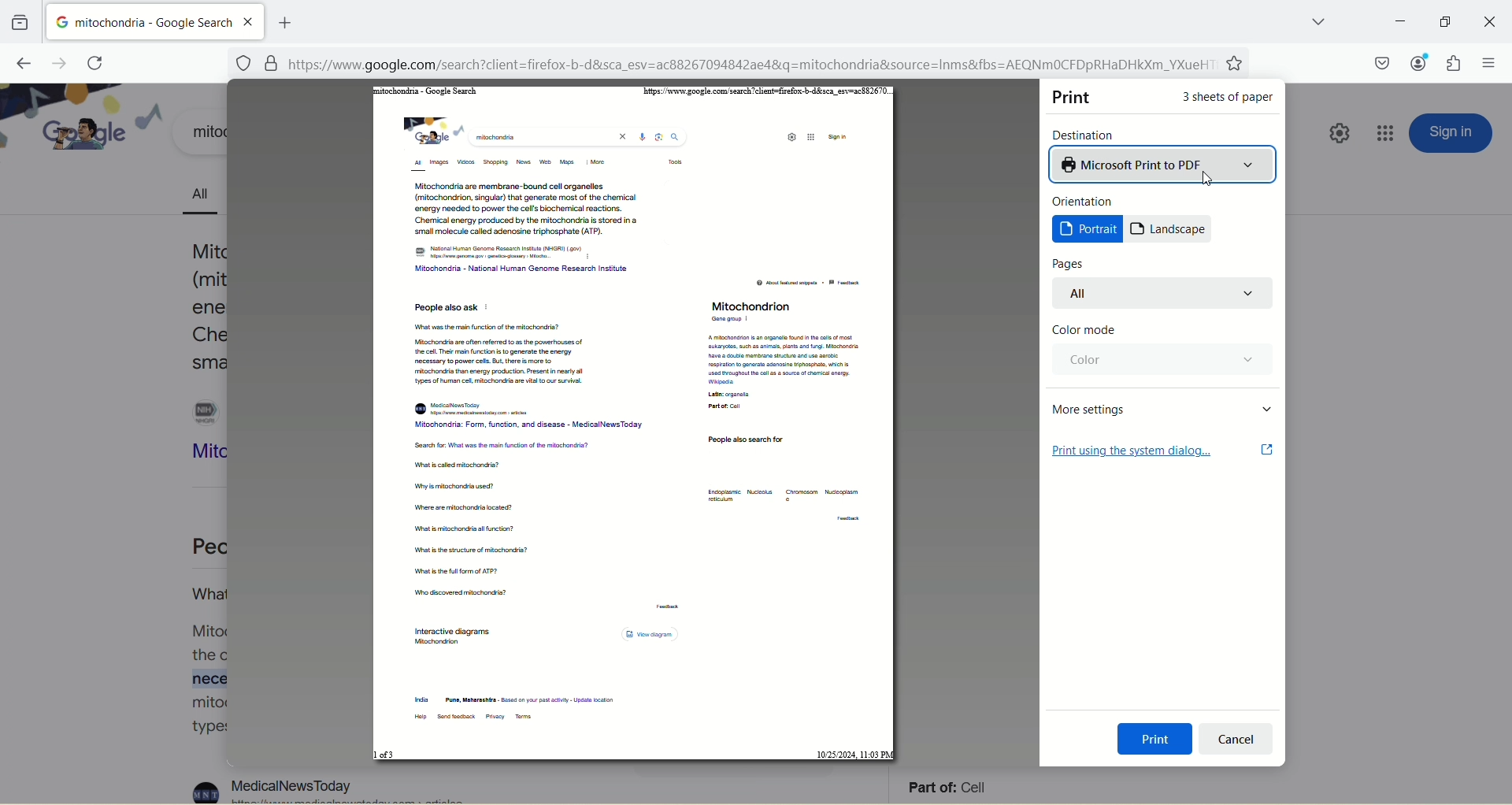  What do you see at coordinates (725, 65) in the screenshot?
I see `[=] https://www.google.com/search?client=firefox-b-d&sca_esv=ac88267094842ae48&q=mitochondria&source=Inms&fbs=AEQNmMOCFDpRHaDHkXm_YXueH` at bounding box center [725, 65].